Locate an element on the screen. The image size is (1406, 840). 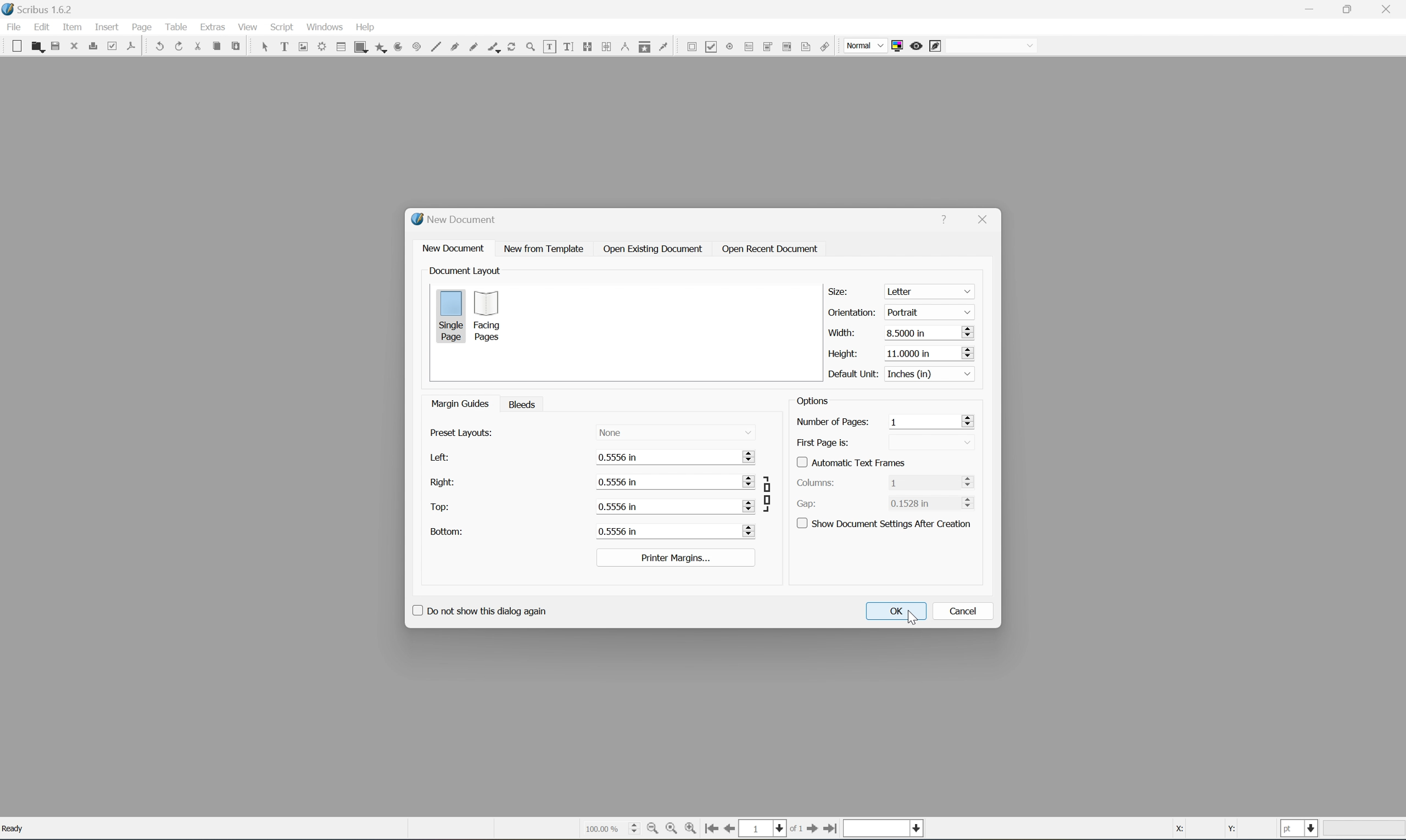
coordinates is located at coordinates (1216, 828).